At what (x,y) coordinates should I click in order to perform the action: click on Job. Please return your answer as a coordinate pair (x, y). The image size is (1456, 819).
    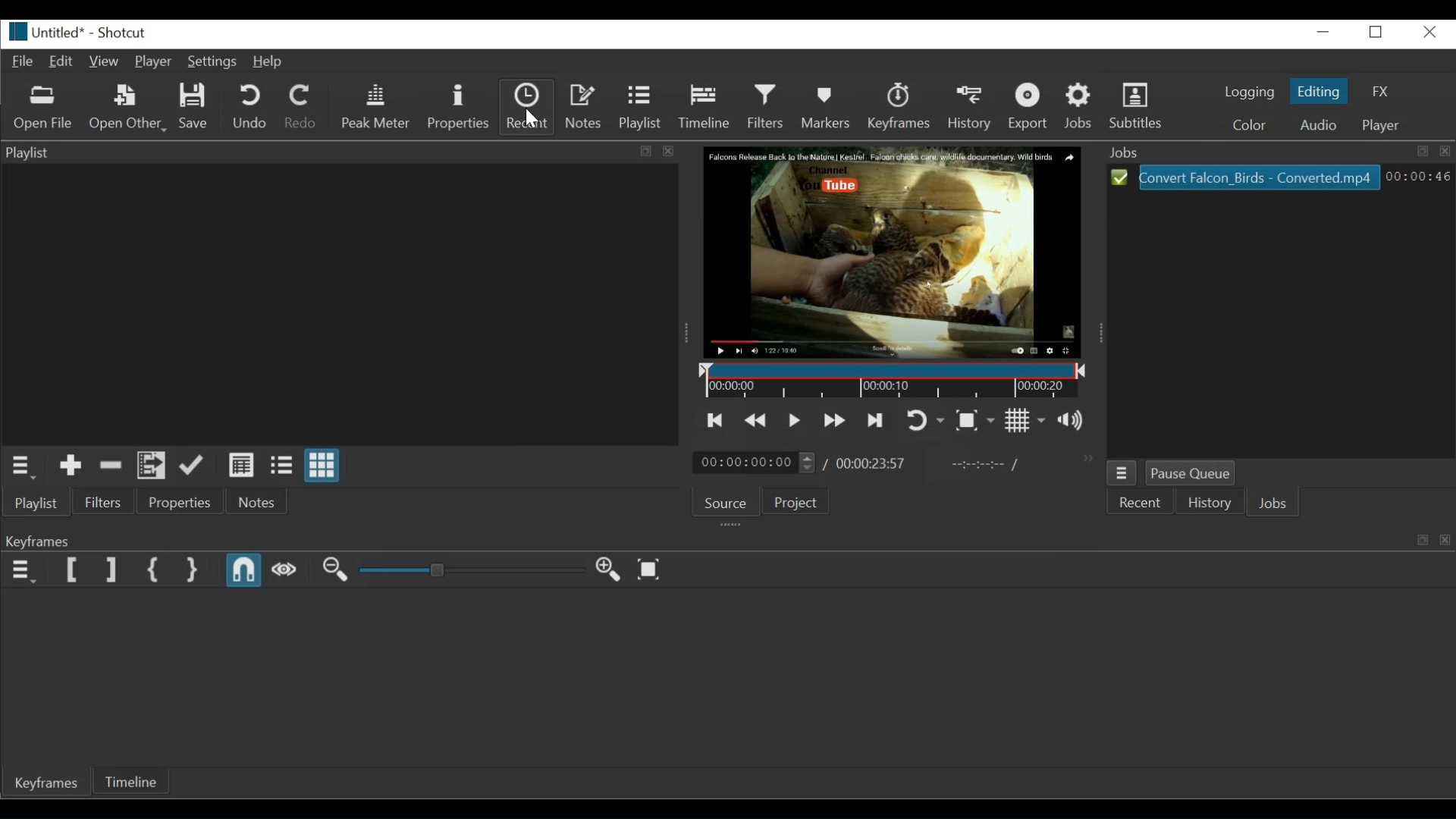
    Looking at the image, I should click on (1279, 153).